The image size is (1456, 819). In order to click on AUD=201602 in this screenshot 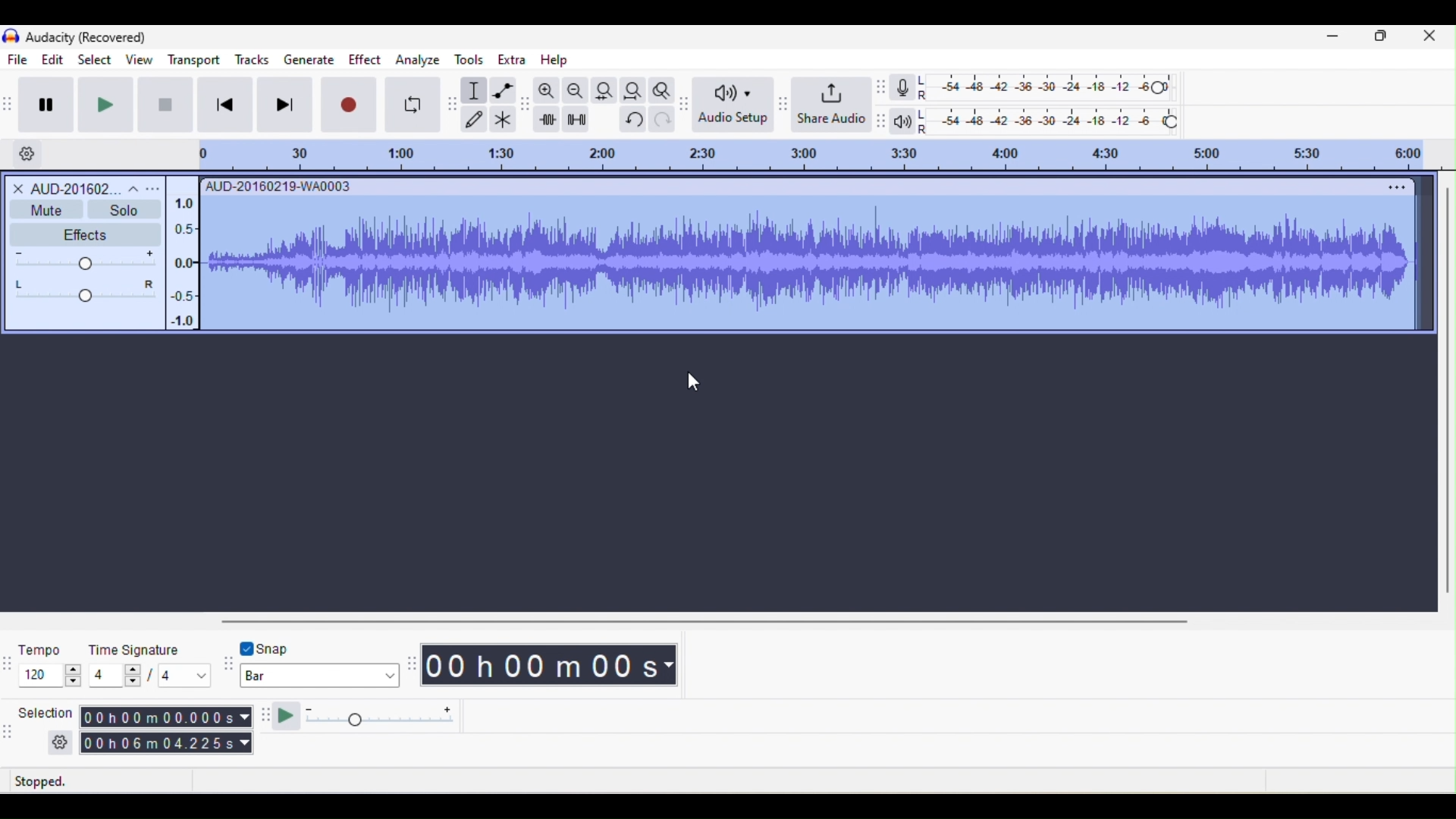, I will do `click(86, 187)`.